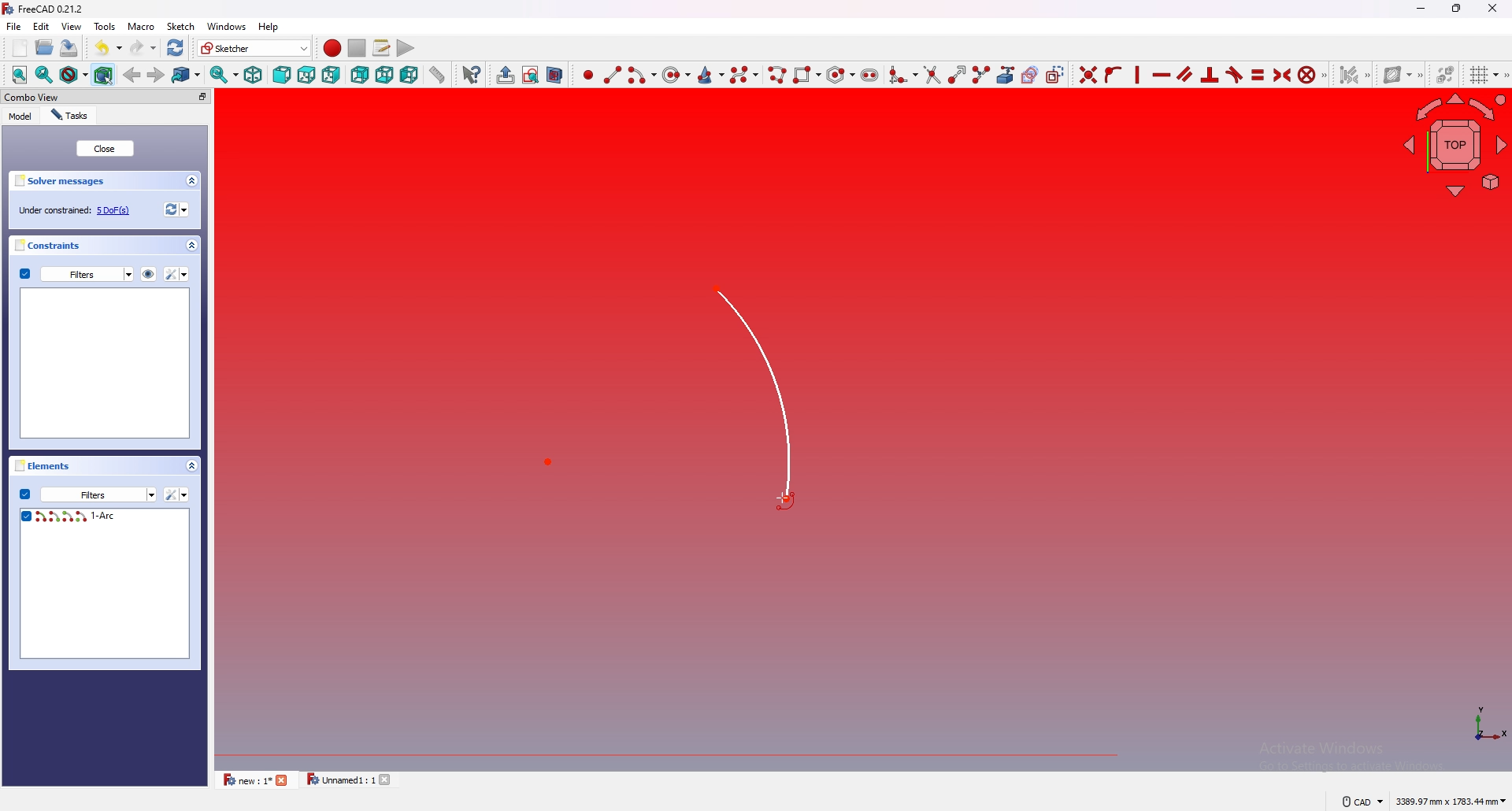 The image size is (1512, 811). What do you see at coordinates (339, 780) in the screenshot?
I see `Unnamed1 : 1` at bounding box center [339, 780].